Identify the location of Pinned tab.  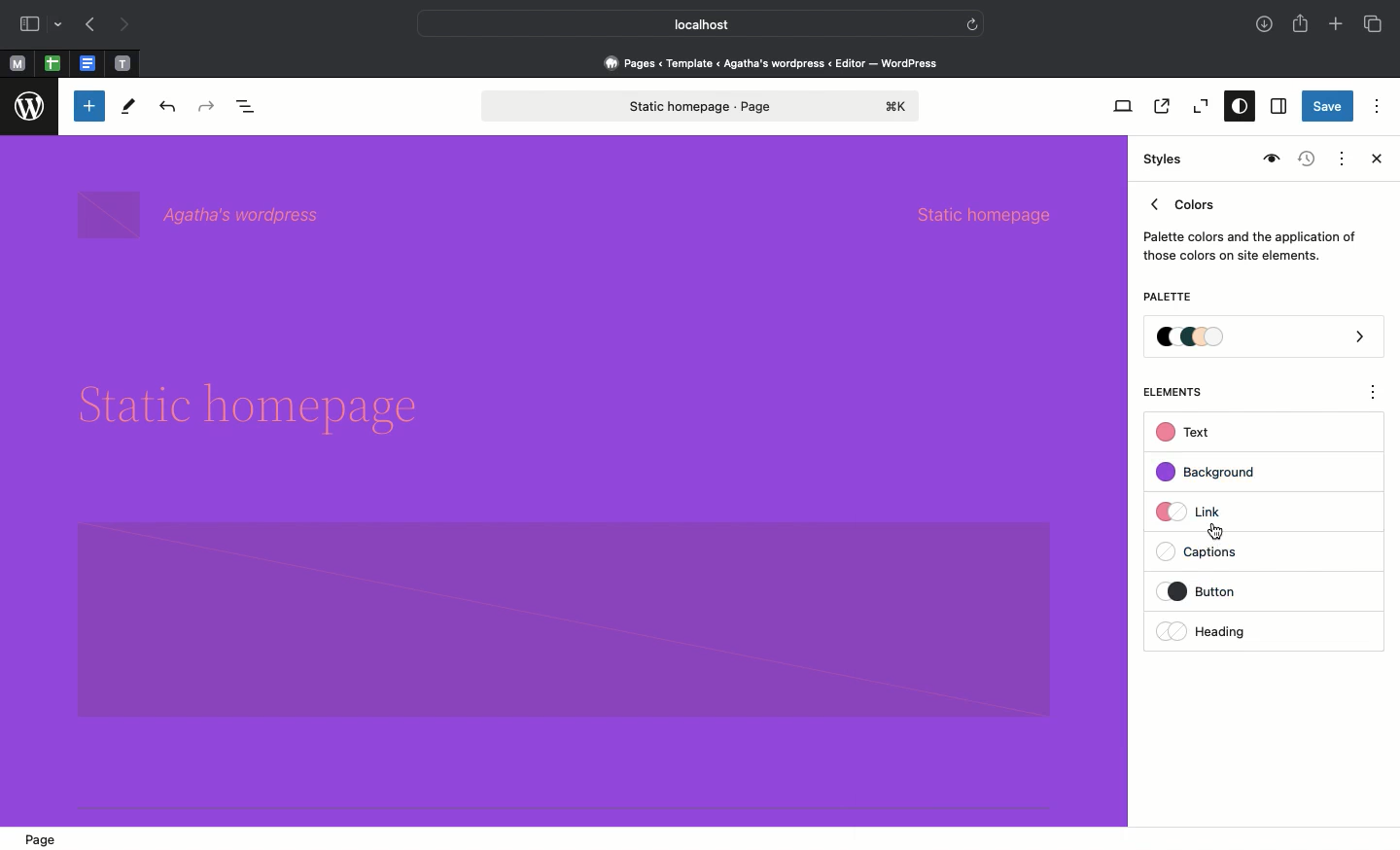
(52, 64).